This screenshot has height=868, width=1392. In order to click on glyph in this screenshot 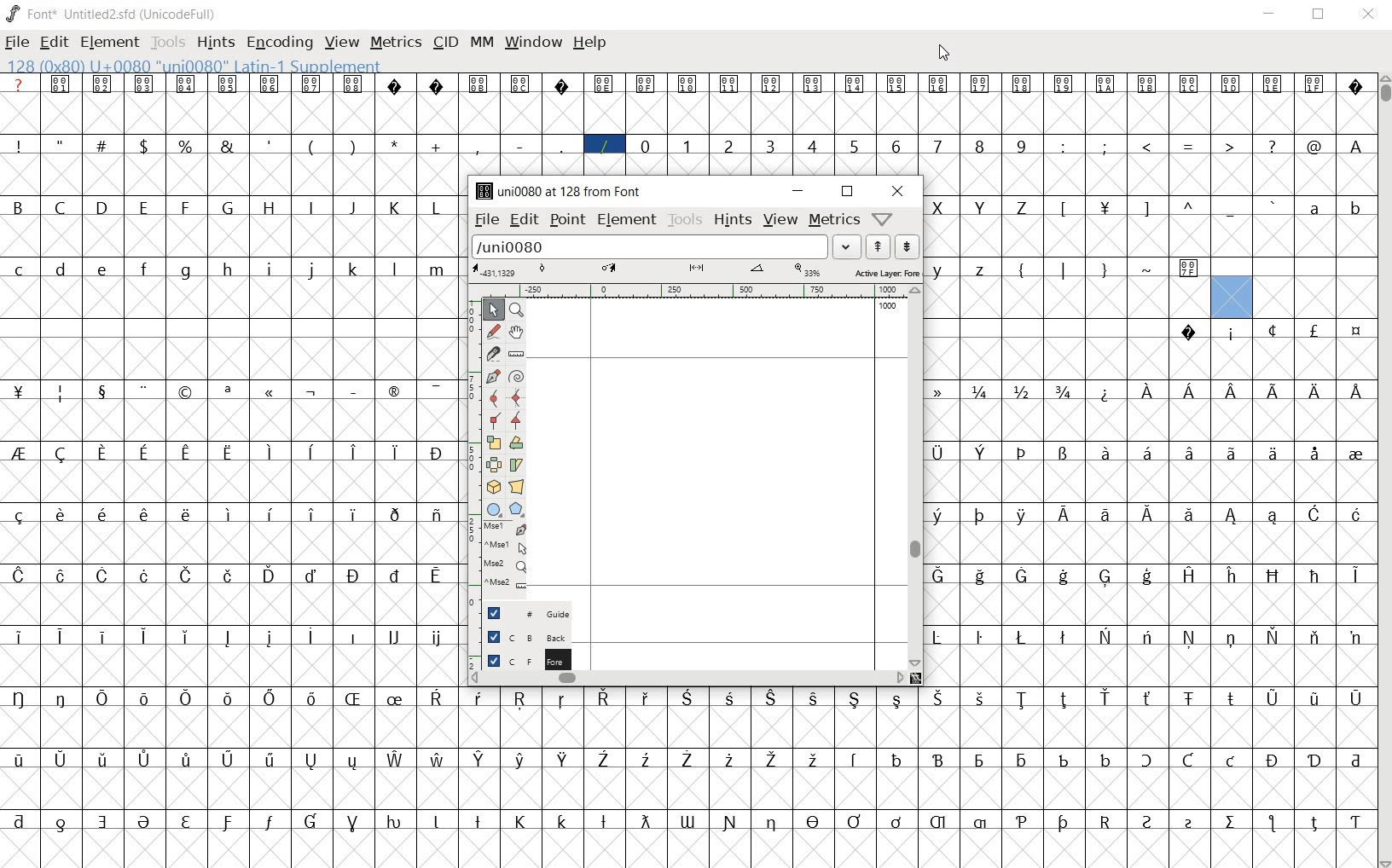, I will do `click(435, 391)`.